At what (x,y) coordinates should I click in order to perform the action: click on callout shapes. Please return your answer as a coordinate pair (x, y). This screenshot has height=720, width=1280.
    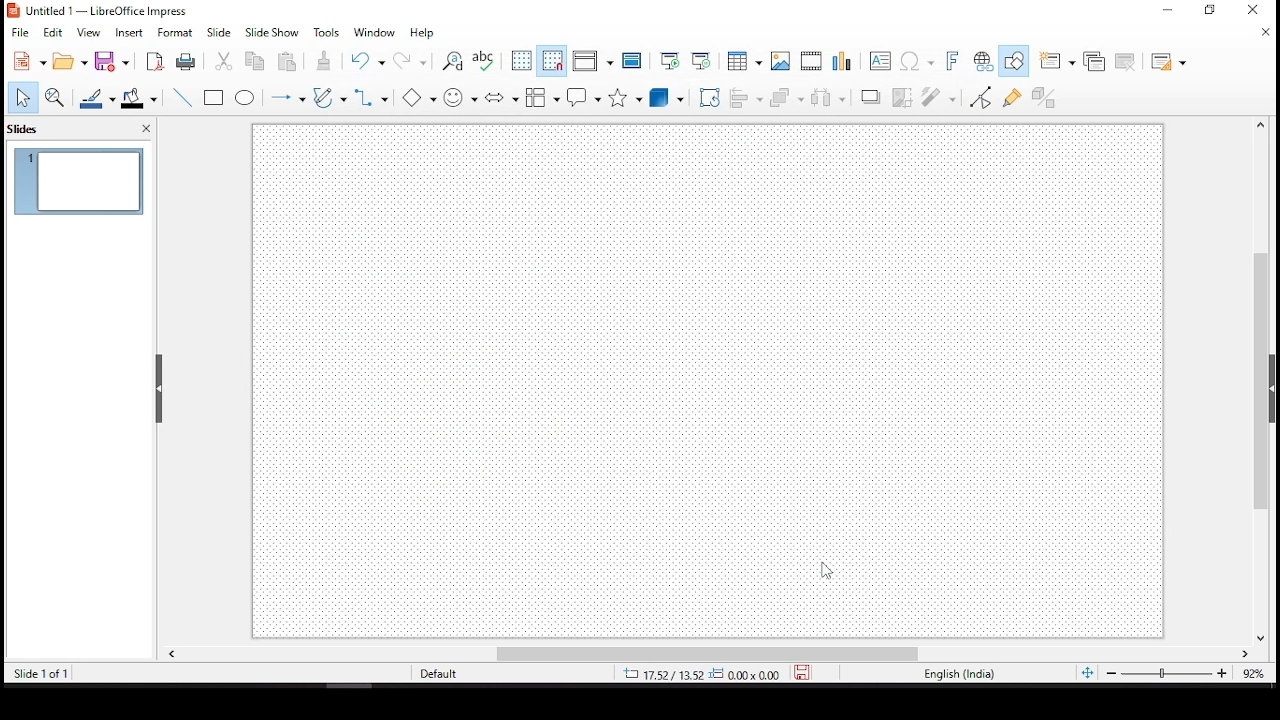
    Looking at the image, I should click on (586, 96).